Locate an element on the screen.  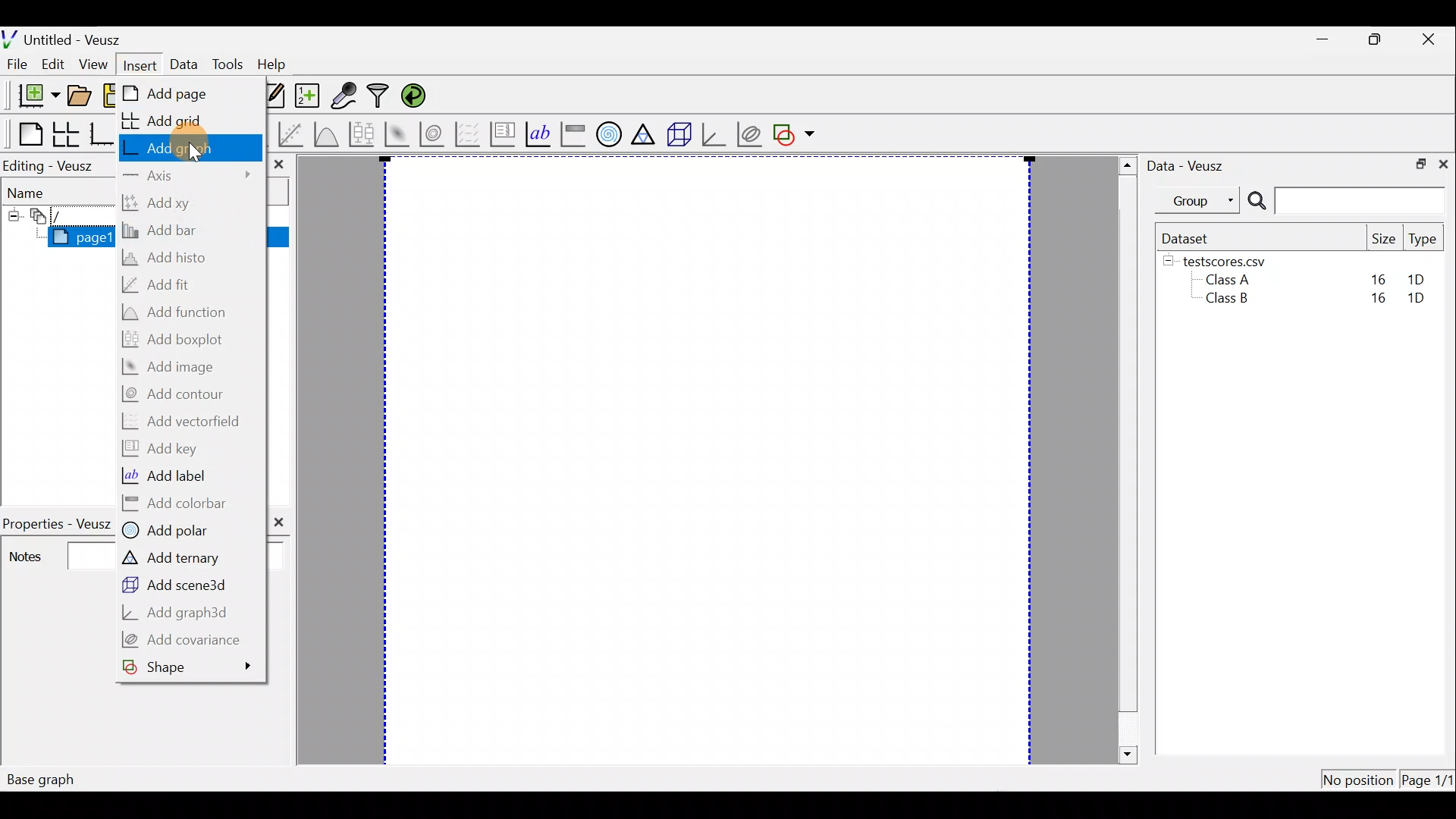
Add xy is located at coordinates (163, 203).